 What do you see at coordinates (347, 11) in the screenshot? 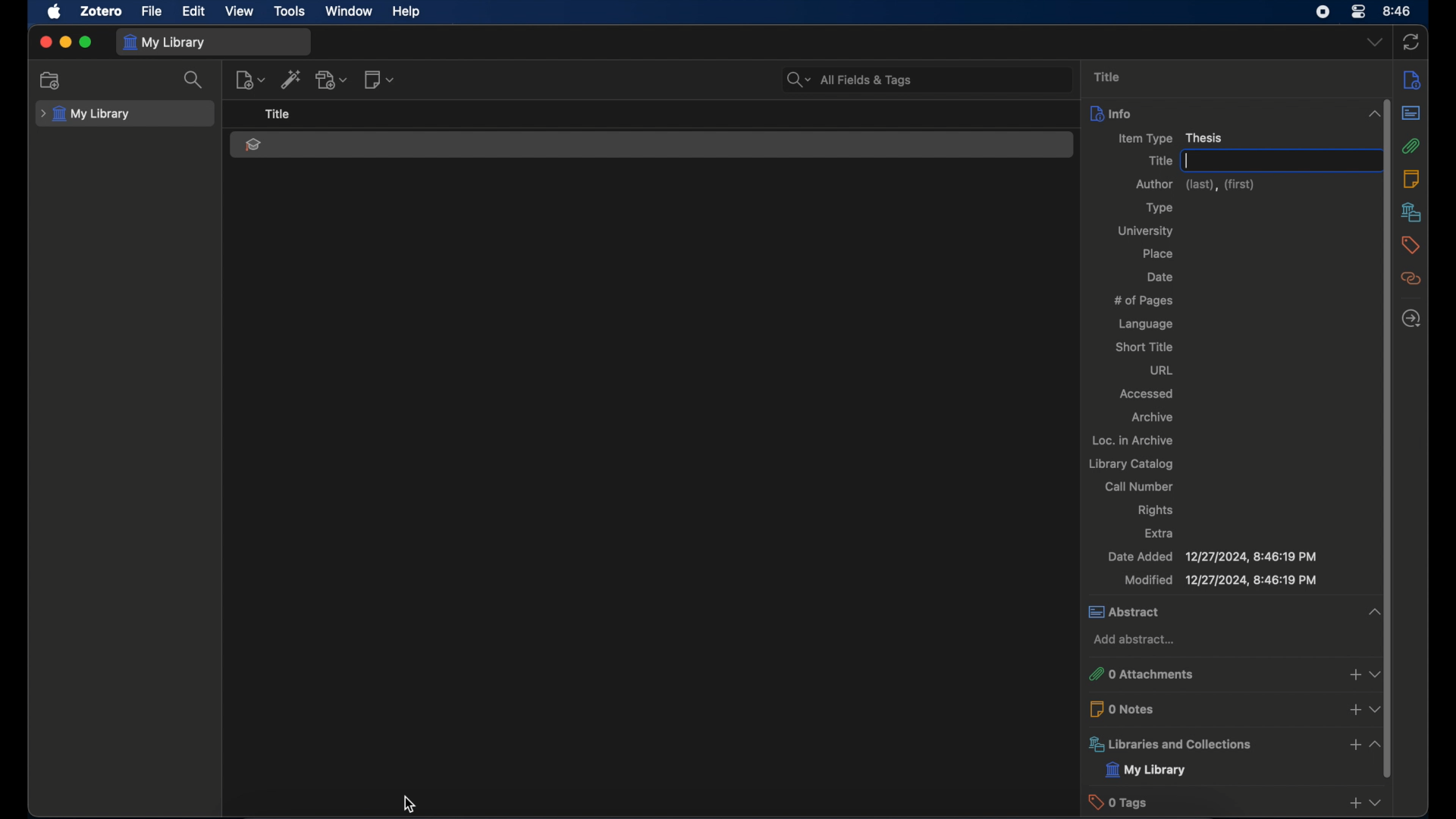
I see `window` at bounding box center [347, 11].